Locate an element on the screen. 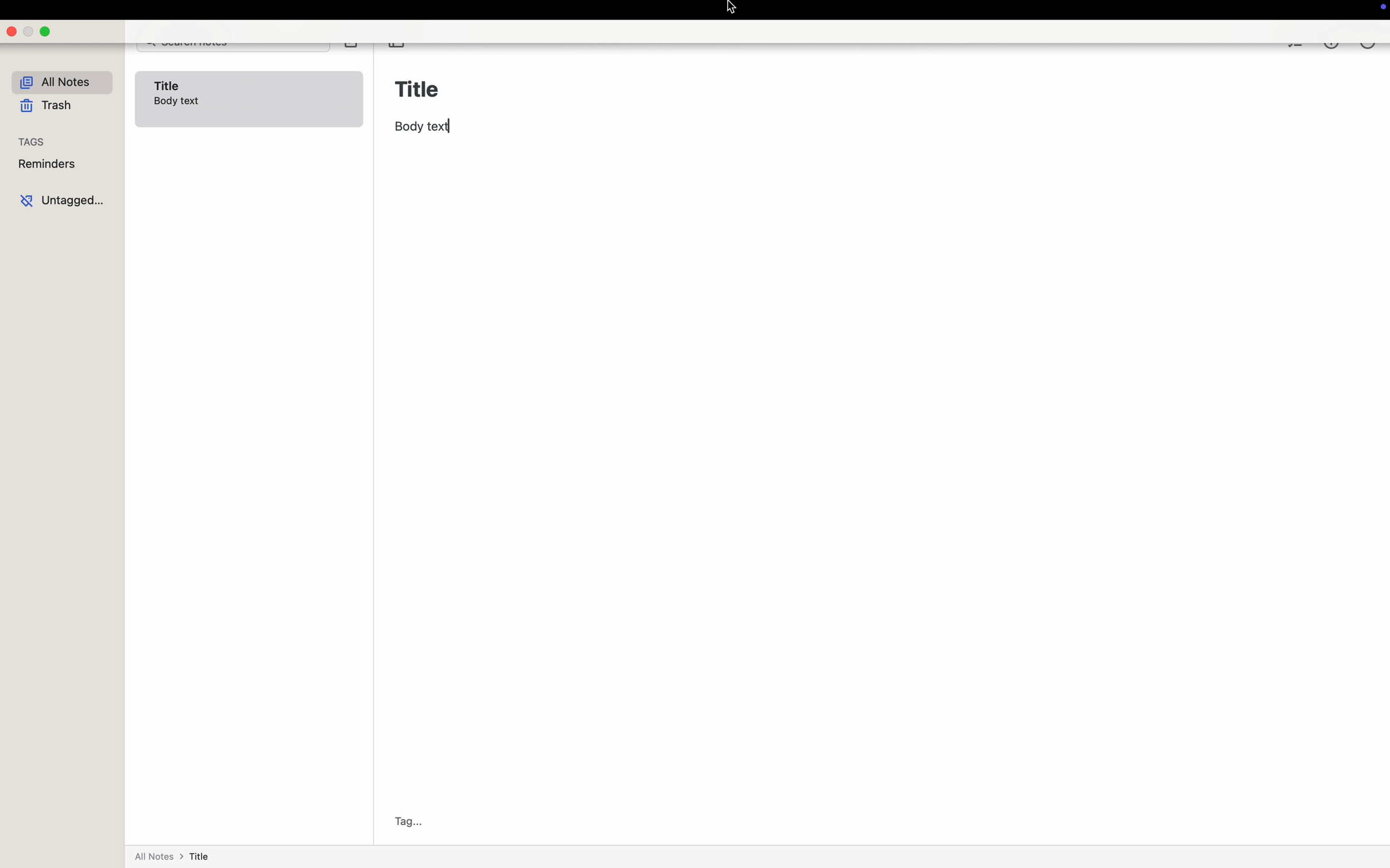 Image resolution: width=1390 pixels, height=868 pixels. all notes > title is located at coordinates (176, 848).